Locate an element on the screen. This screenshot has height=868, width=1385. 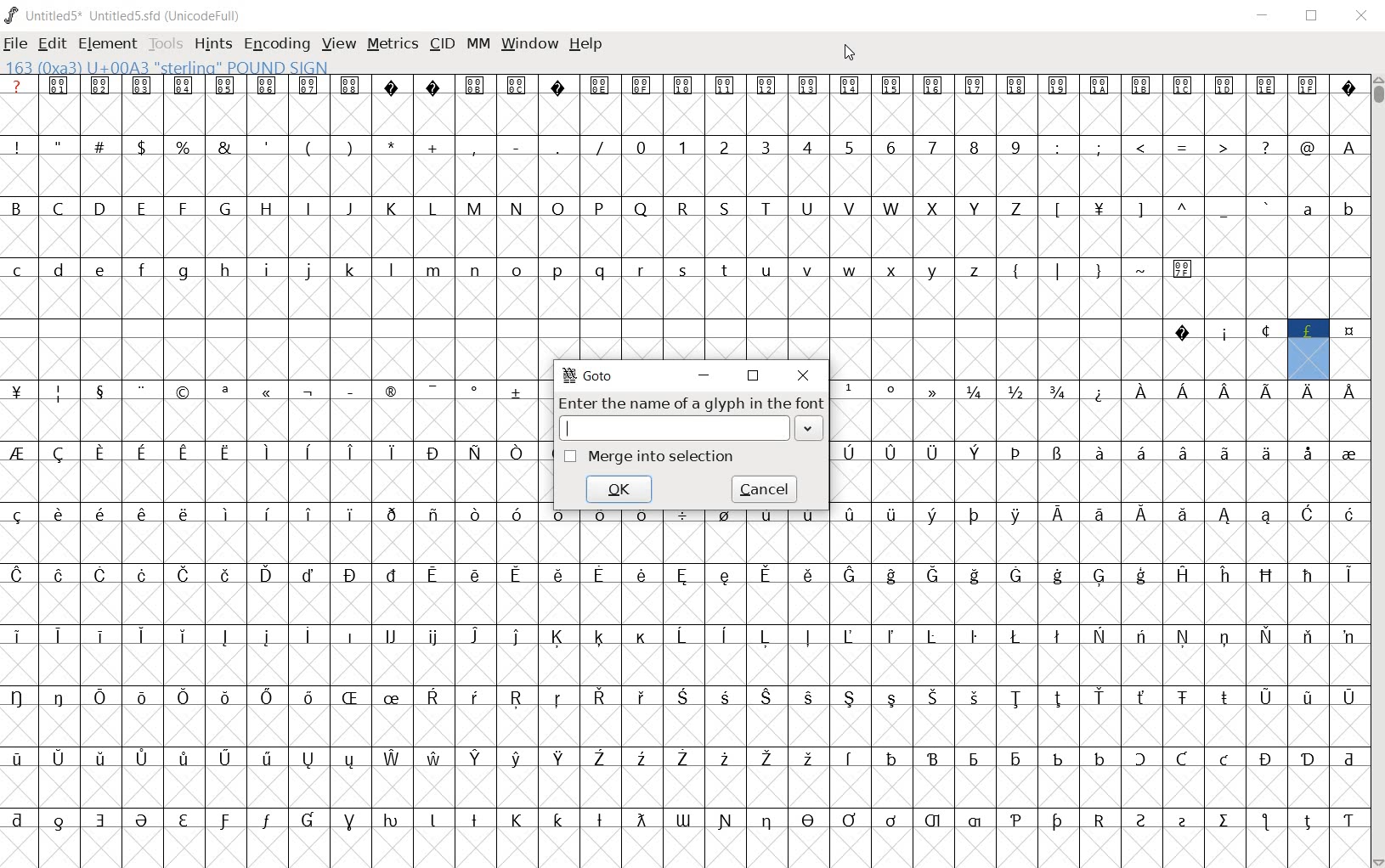
ELEMENT is located at coordinates (109, 43).